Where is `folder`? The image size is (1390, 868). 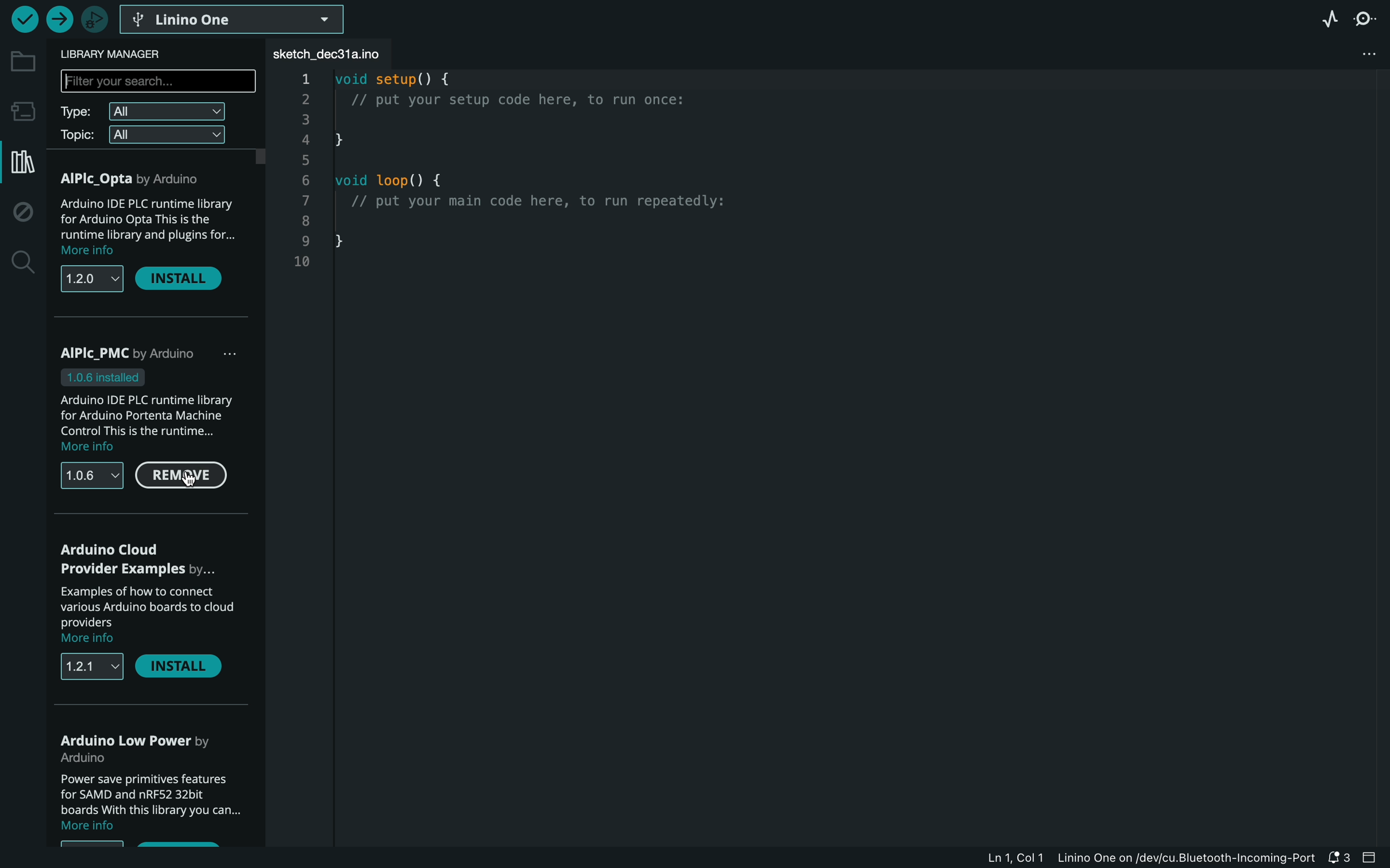
folder is located at coordinates (22, 61).